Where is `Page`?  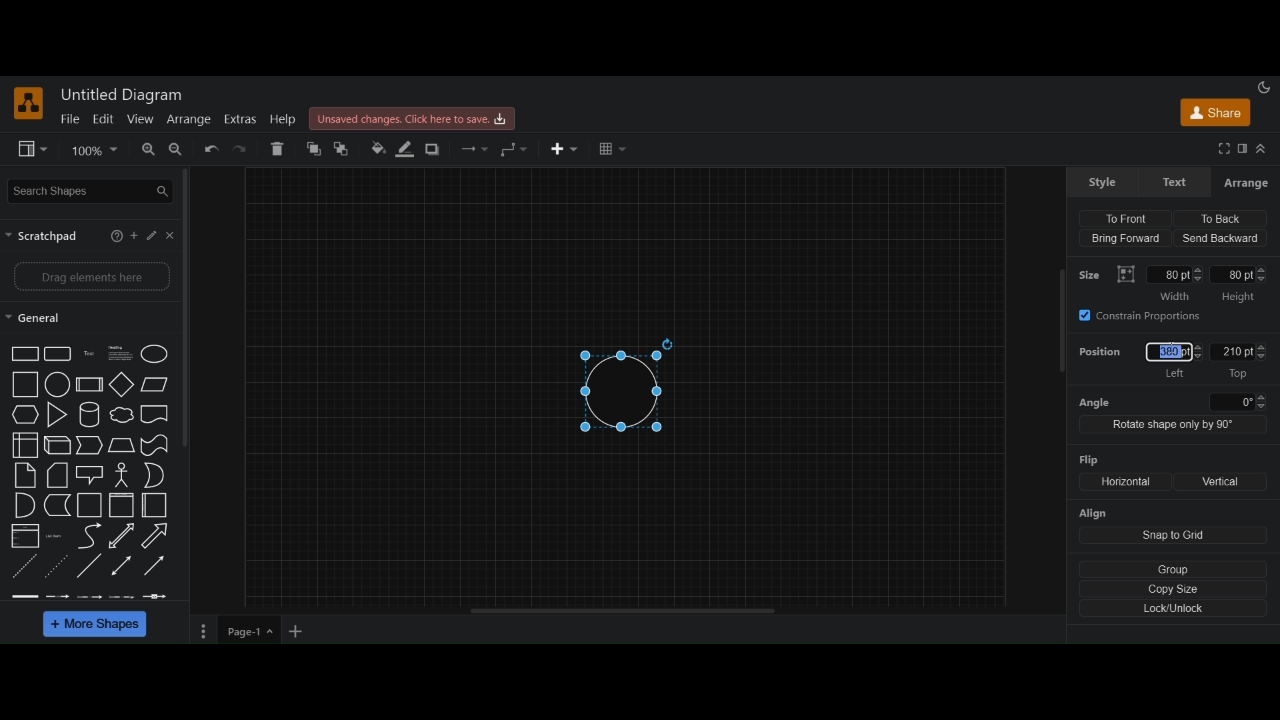
Page is located at coordinates (25, 476).